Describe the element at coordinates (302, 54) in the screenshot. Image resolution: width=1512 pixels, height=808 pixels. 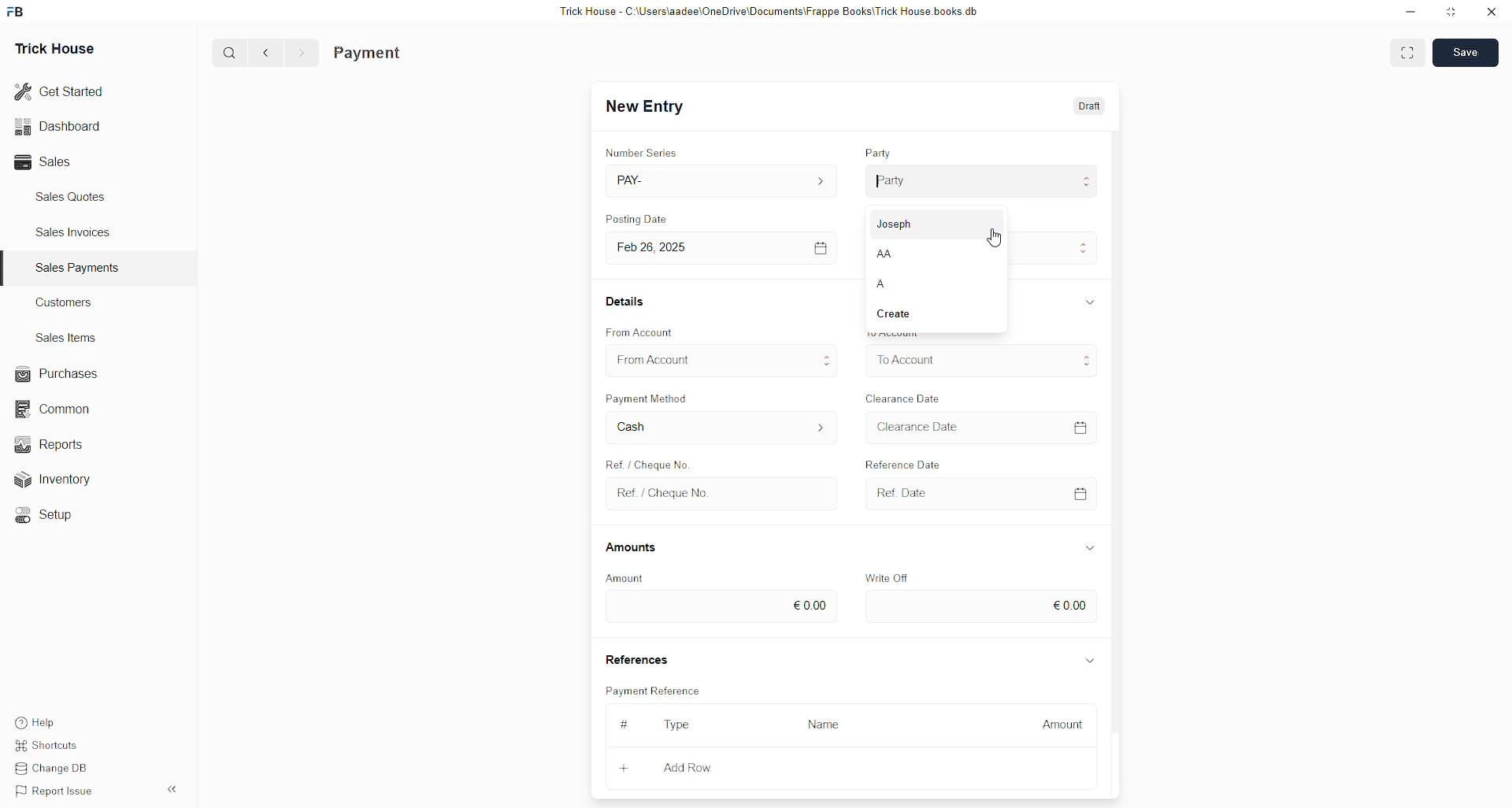
I see `Forward` at that location.